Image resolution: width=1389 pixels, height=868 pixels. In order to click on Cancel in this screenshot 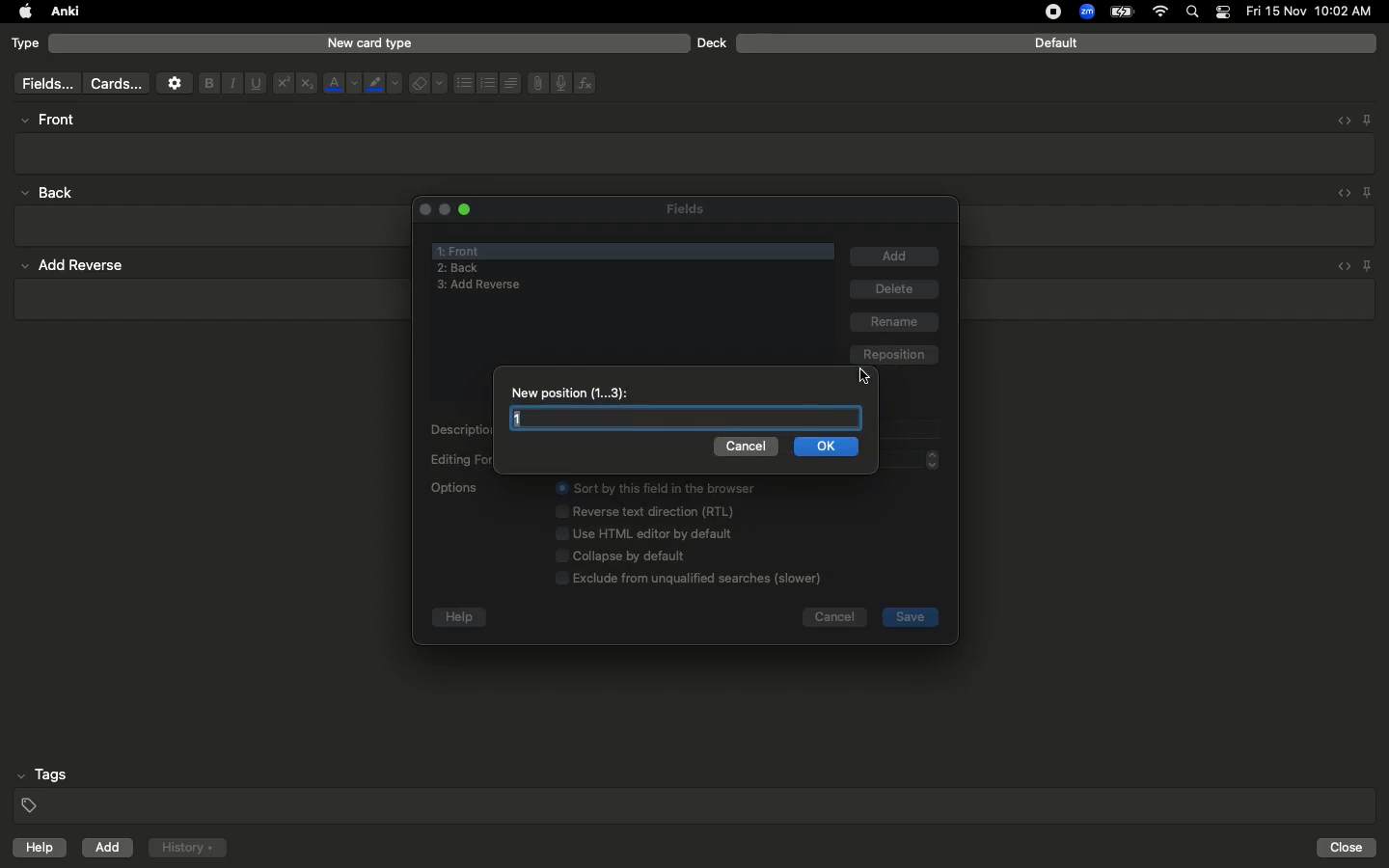, I will do `click(749, 447)`.